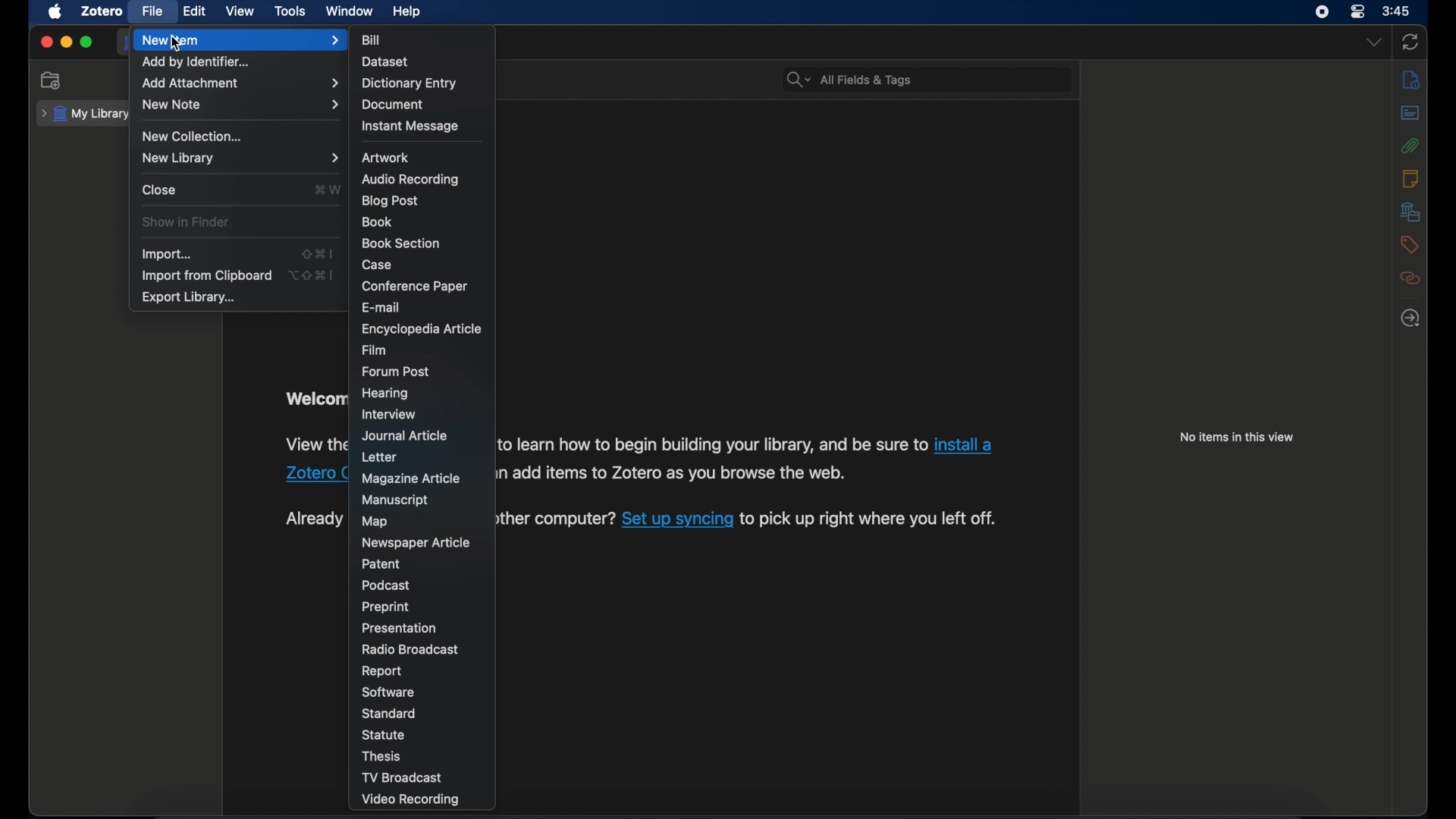 This screenshot has height=819, width=1456. I want to click on window, so click(349, 11).